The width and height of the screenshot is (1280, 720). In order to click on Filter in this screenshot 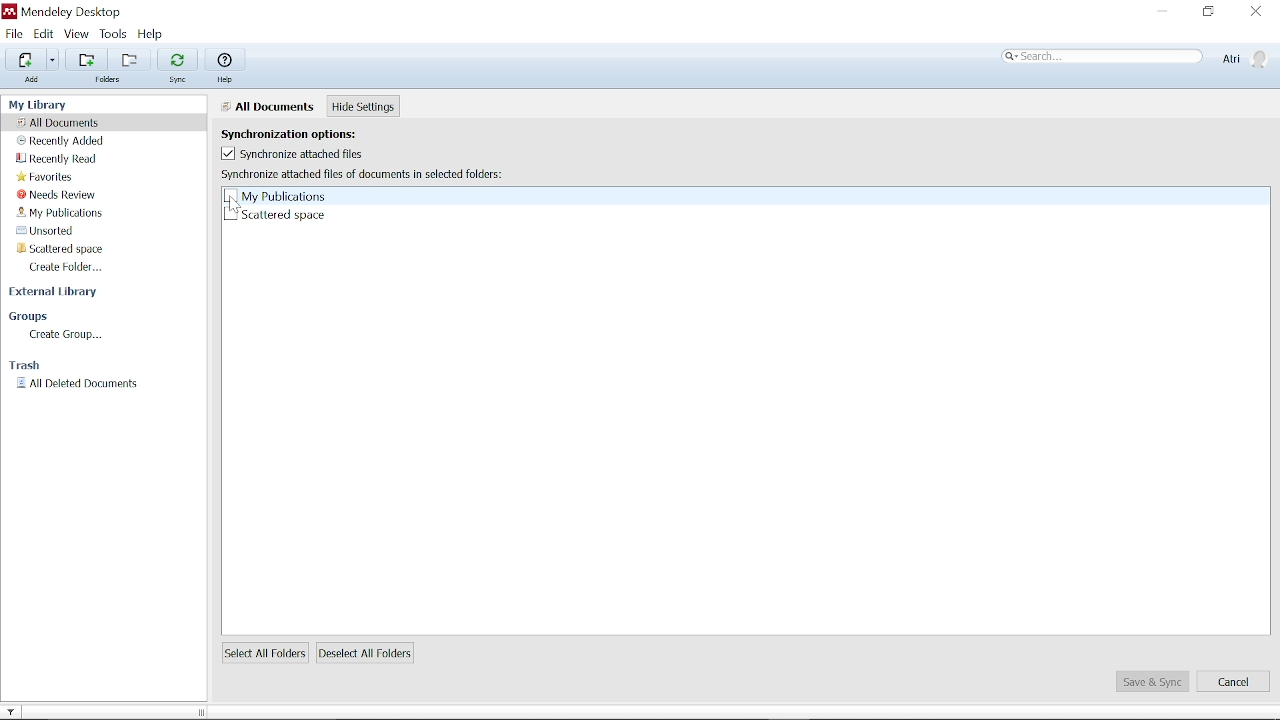, I will do `click(17, 709)`.